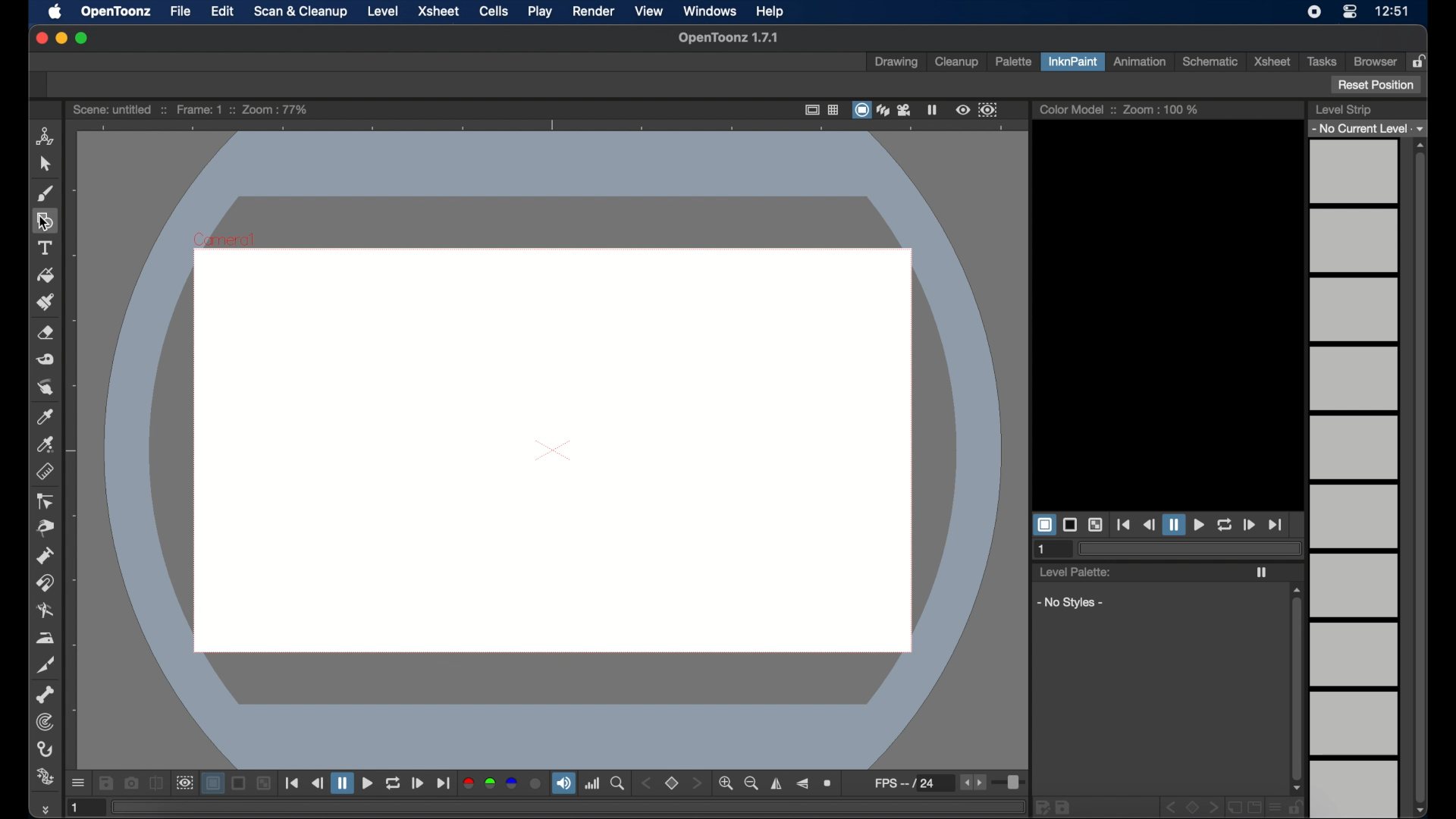 The height and width of the screenshot is (819, 1456). Describe the element at coordinates (829, 783) in the screenshot. I see `reset view` at that location.